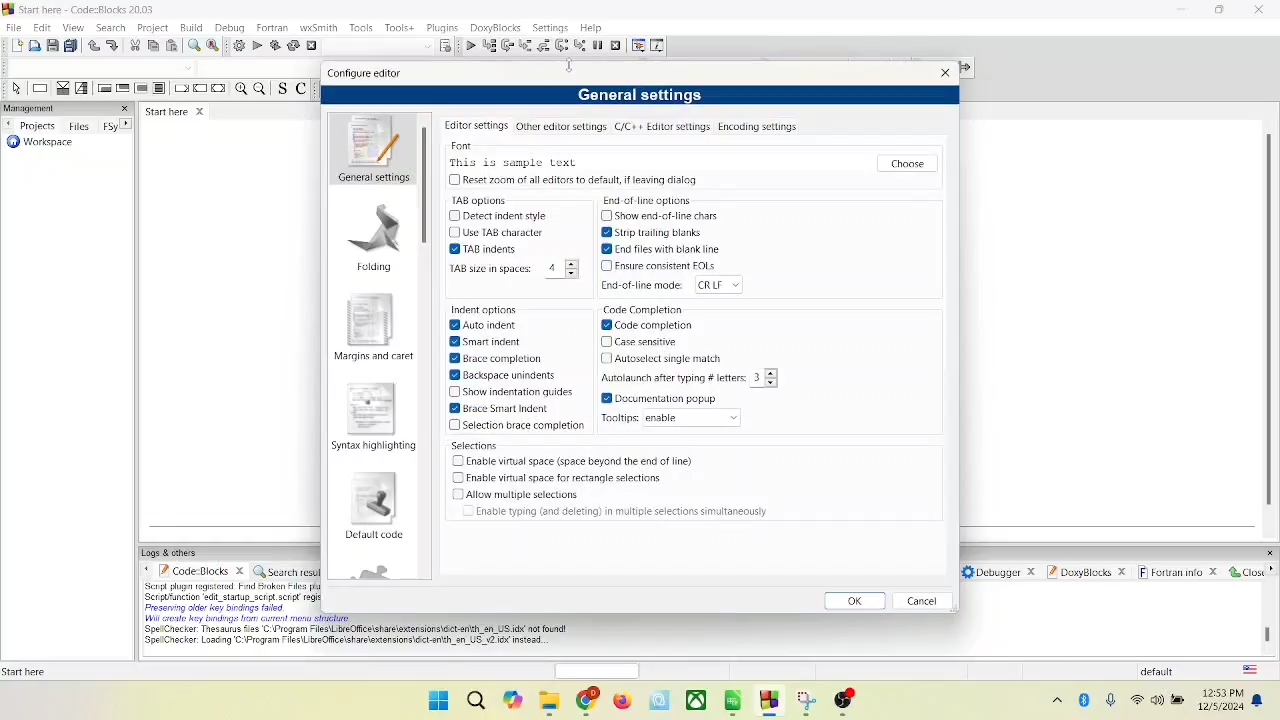 The height and width of the screenshot is (720, 1280). I want to click on management, so click(39, 107).